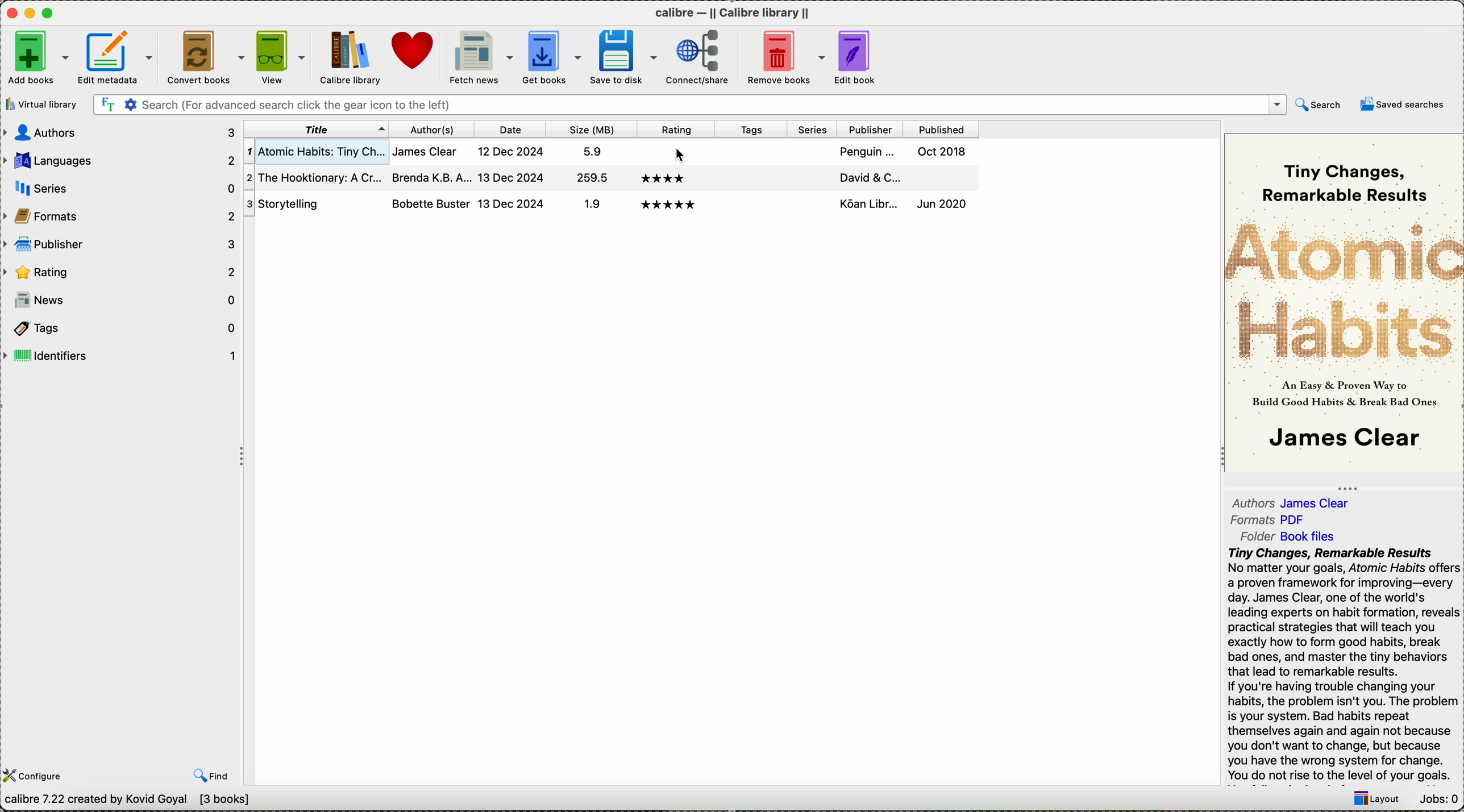 The image size is (1464, 812). What do you see at coordinates (206, 57) in the screenshot?
I see `convert books` at bounding box center [206, 57].